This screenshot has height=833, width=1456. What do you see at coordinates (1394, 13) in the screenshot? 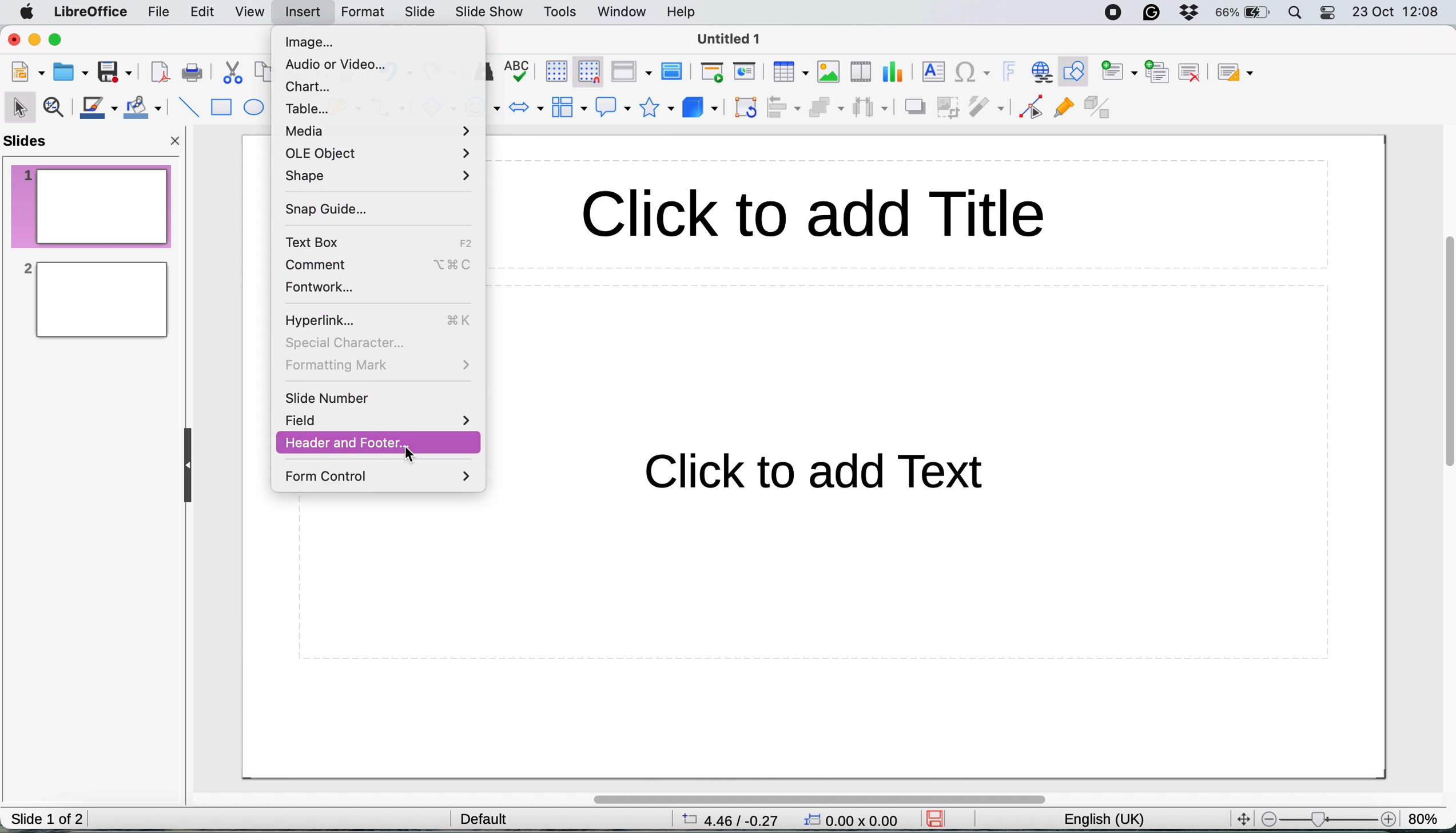
I see `23 oct 12:08` at bounding box center [1394, 13].